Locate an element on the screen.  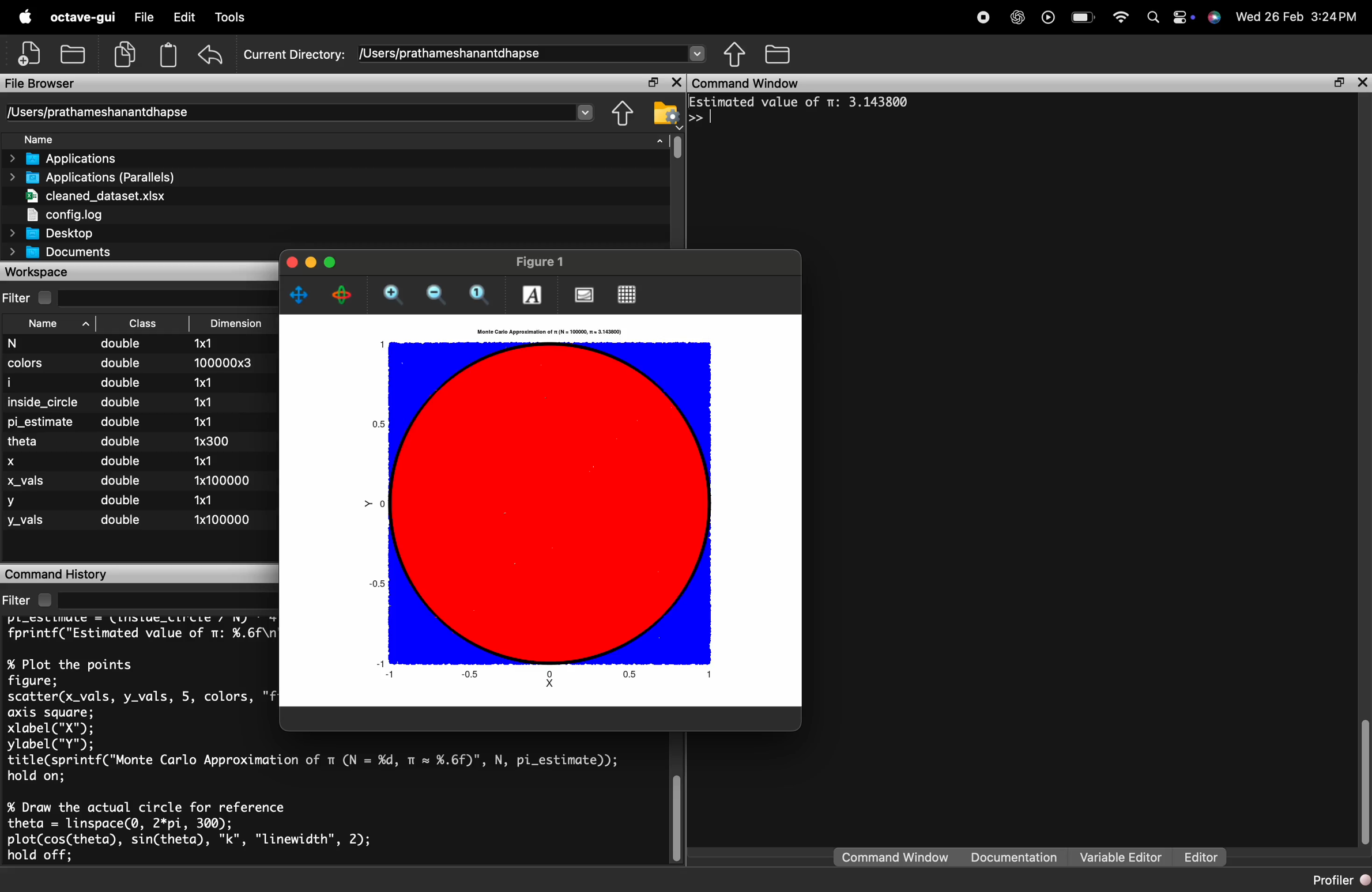
1x1 is located at coordinates (207, 498).